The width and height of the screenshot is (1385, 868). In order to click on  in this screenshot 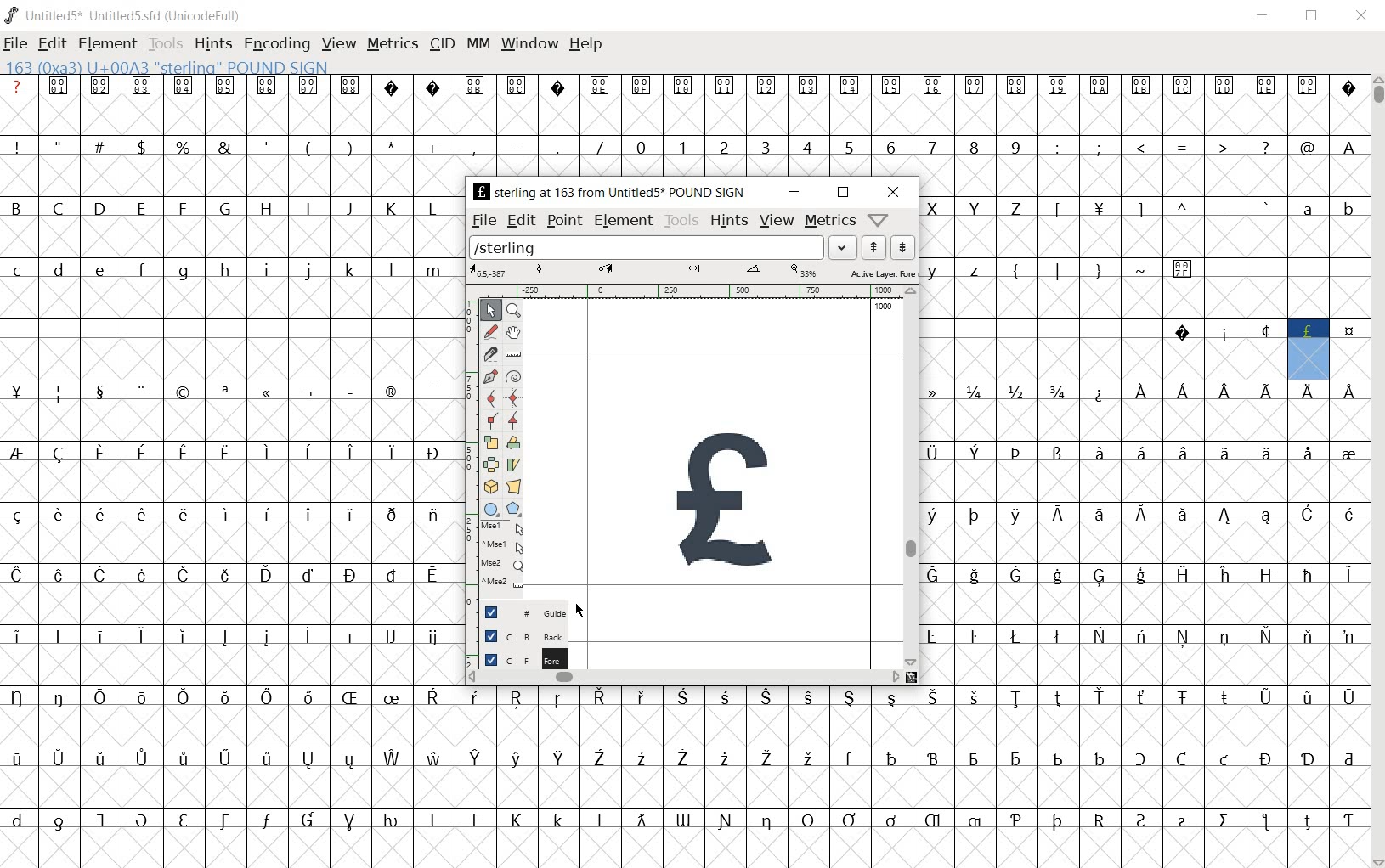, I will do `click(933, 697)`.